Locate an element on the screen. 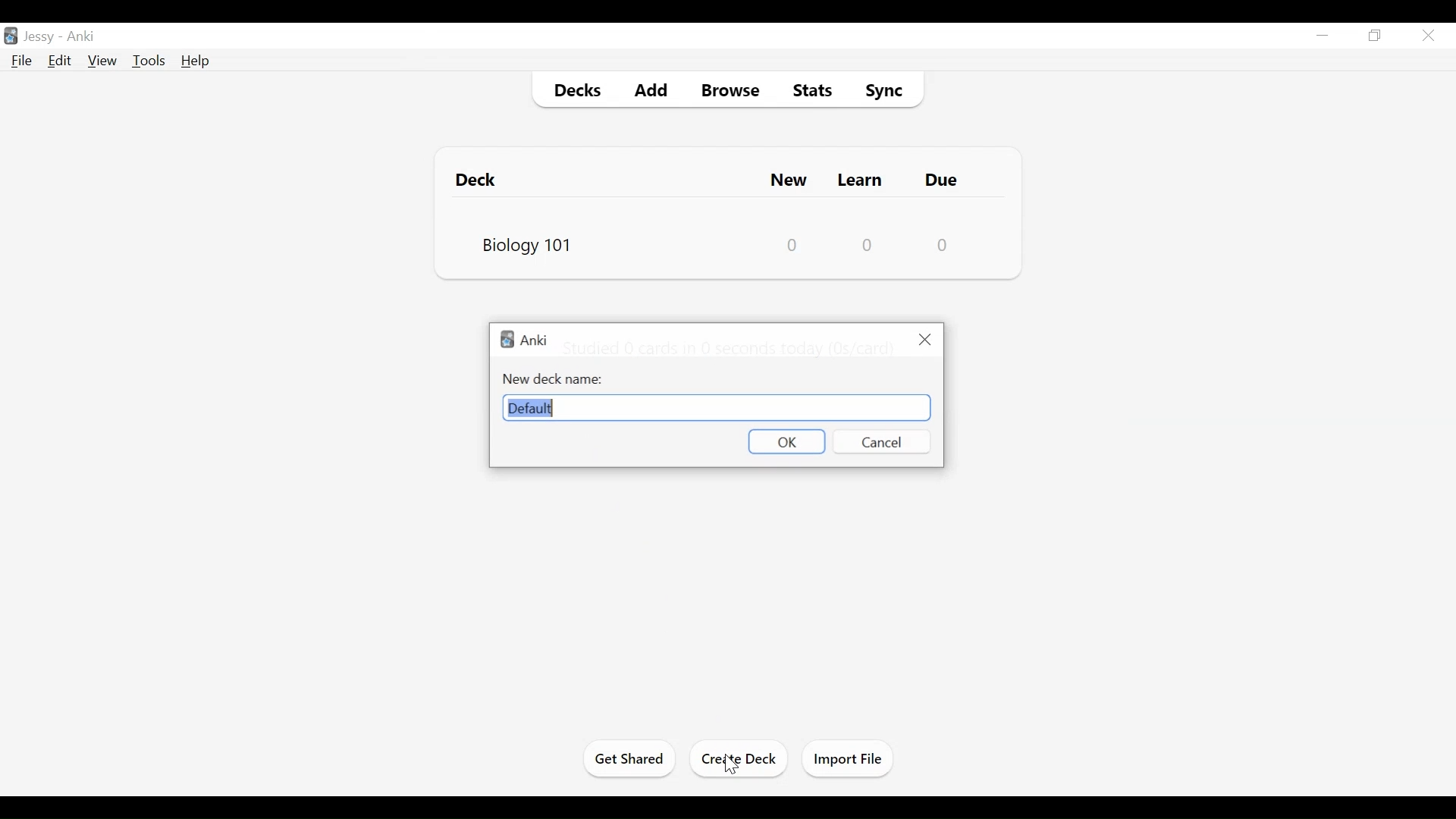 This screenshot has height=819, width=1456. Add is located at coordinates (650, 88).